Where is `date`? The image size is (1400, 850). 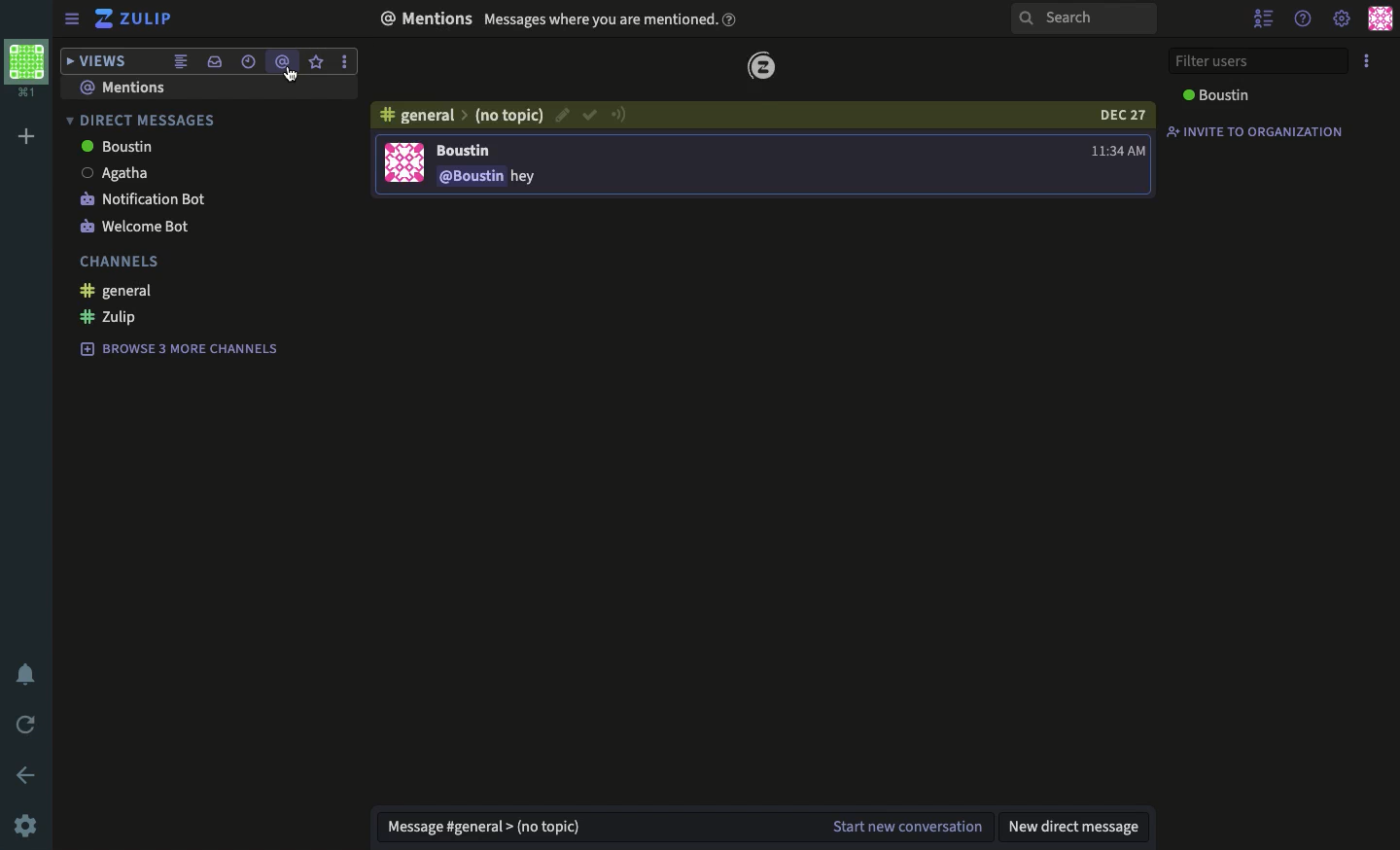
date is located at coordinates (1127, 115).